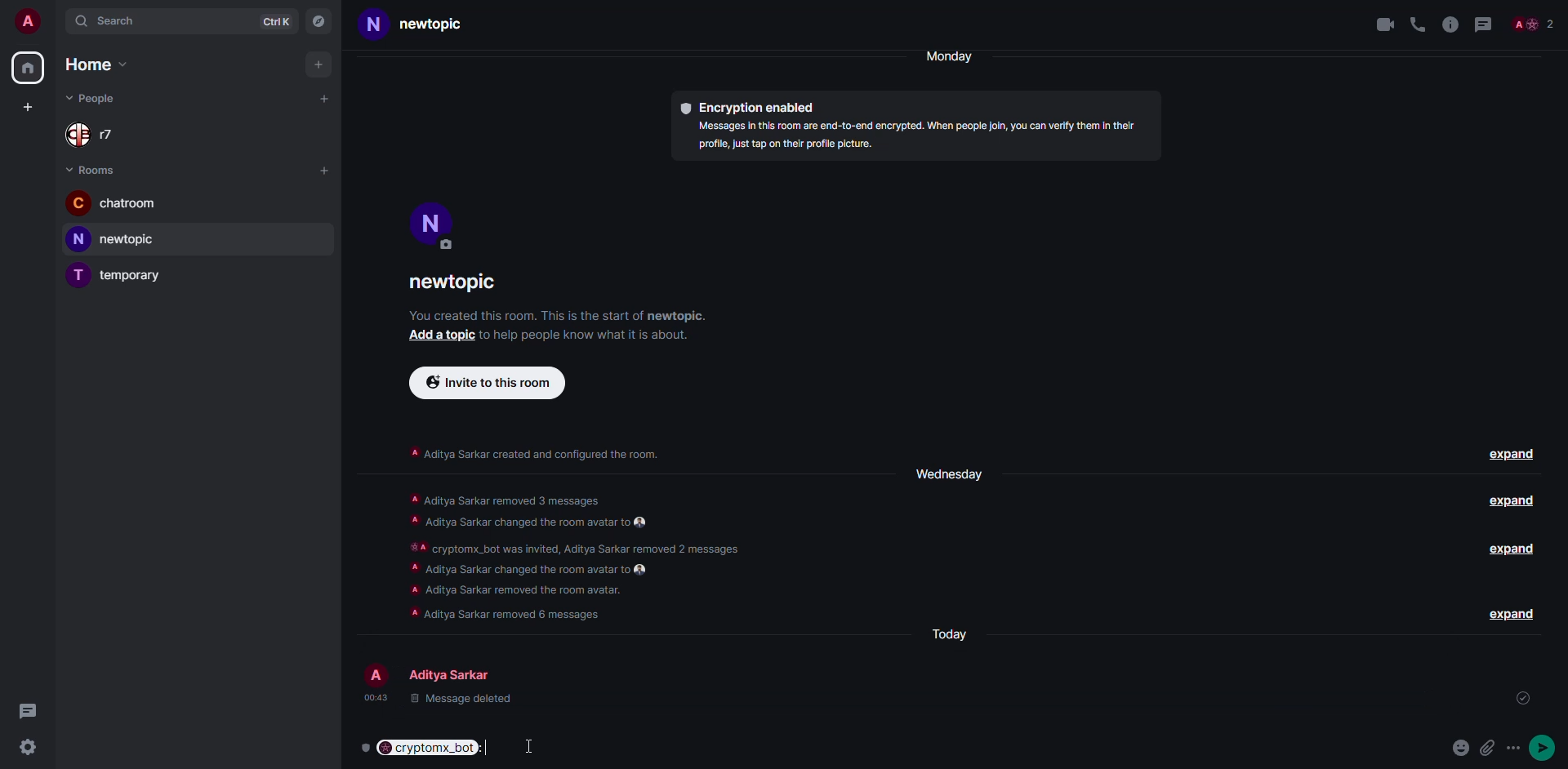 The image size is (1568, 769). Describe the element at coordinates (1343, 701) in the screenshot. I see `id` at that location.